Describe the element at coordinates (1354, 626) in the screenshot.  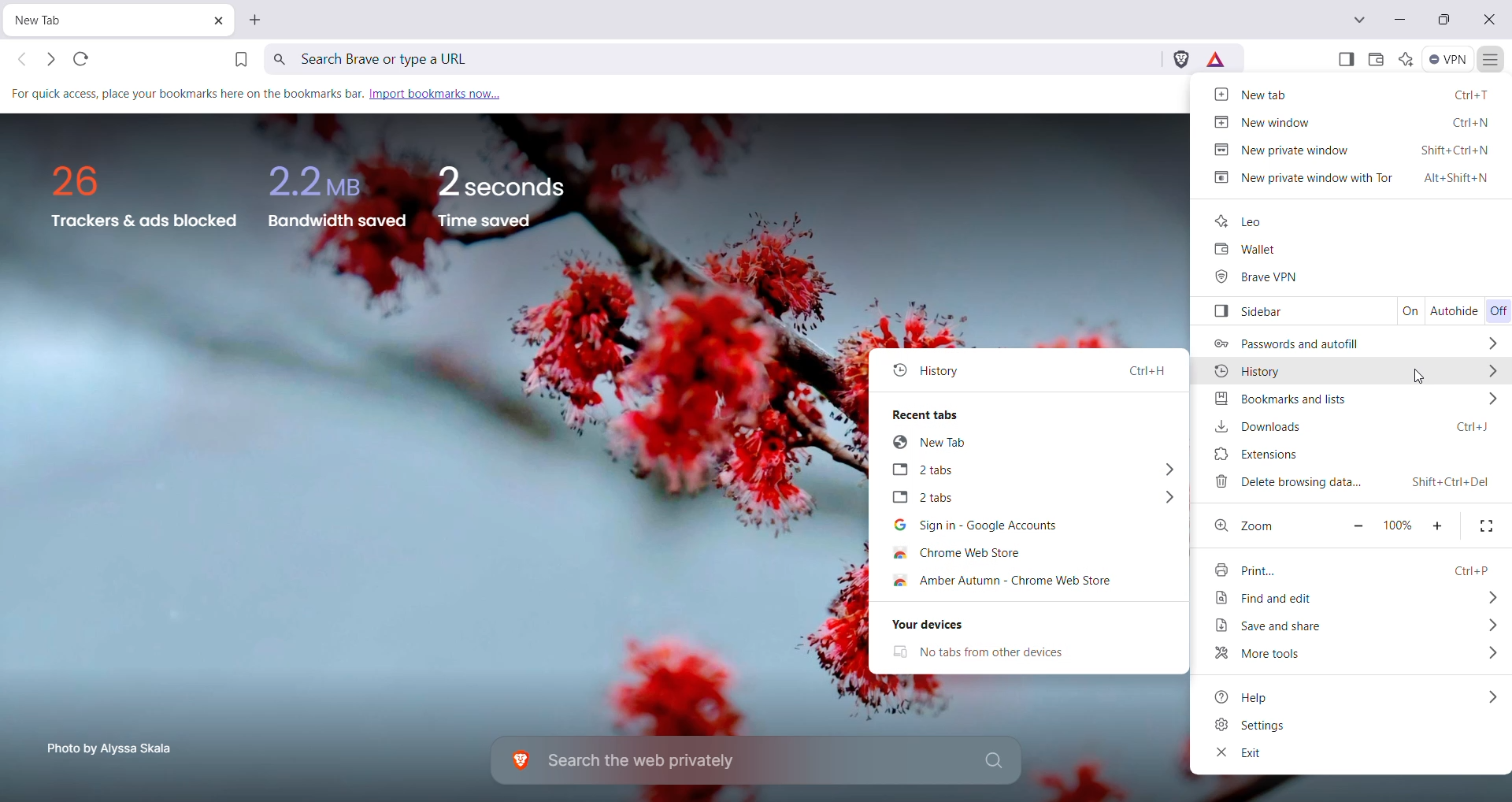
I see `Save and Share` at that location.